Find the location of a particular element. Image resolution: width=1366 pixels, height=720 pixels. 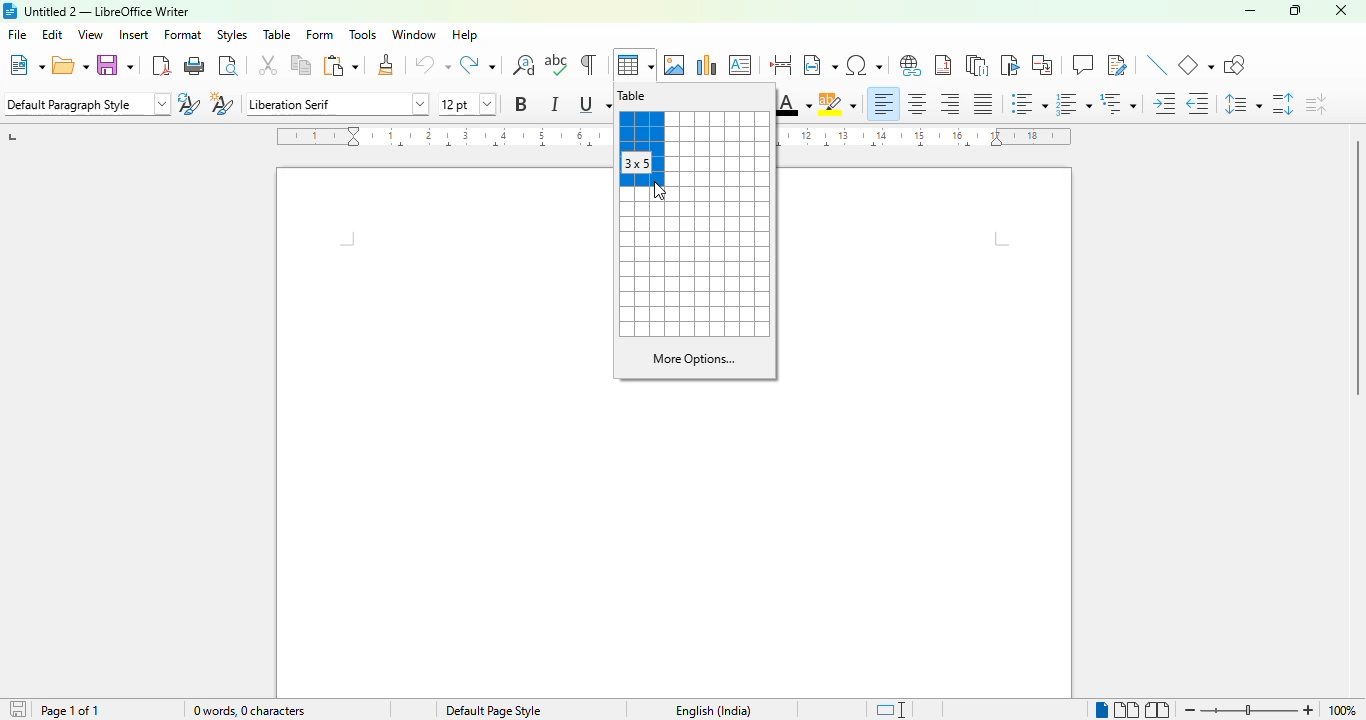

insert cross-reference is located at coordinates (1042, 65).